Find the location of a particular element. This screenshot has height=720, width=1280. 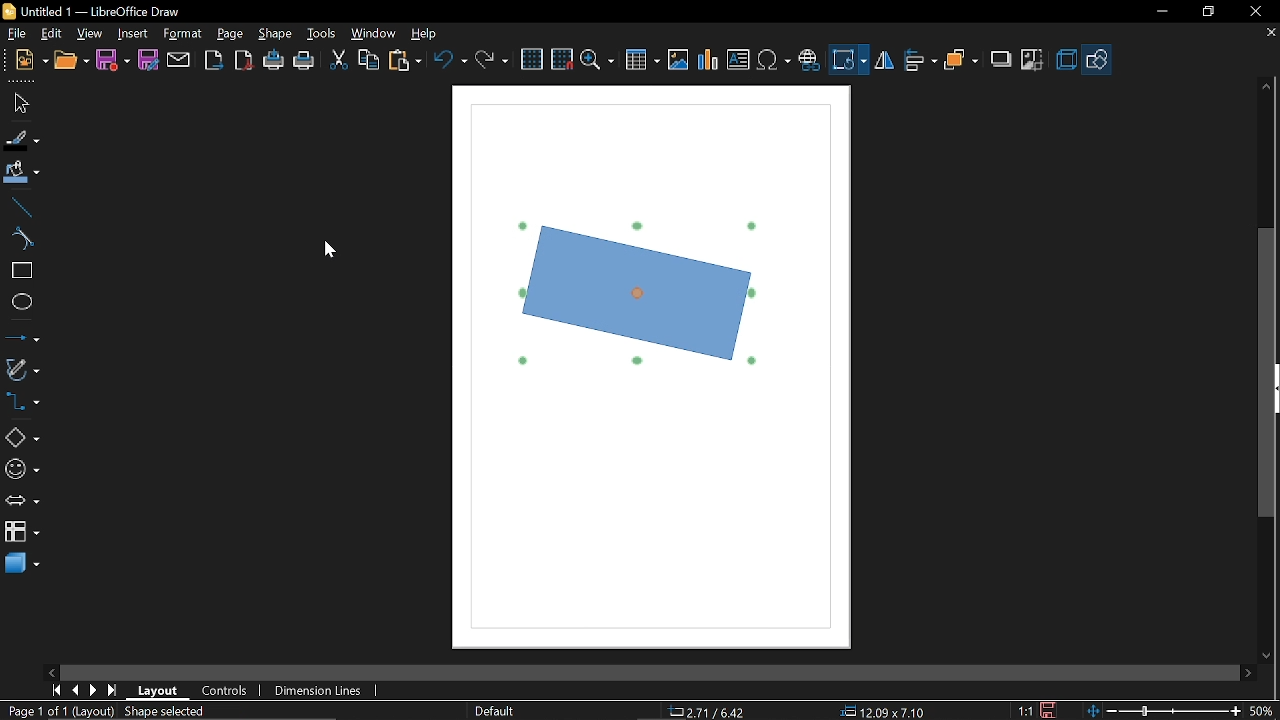

save as is located at coordinates (148, 60).